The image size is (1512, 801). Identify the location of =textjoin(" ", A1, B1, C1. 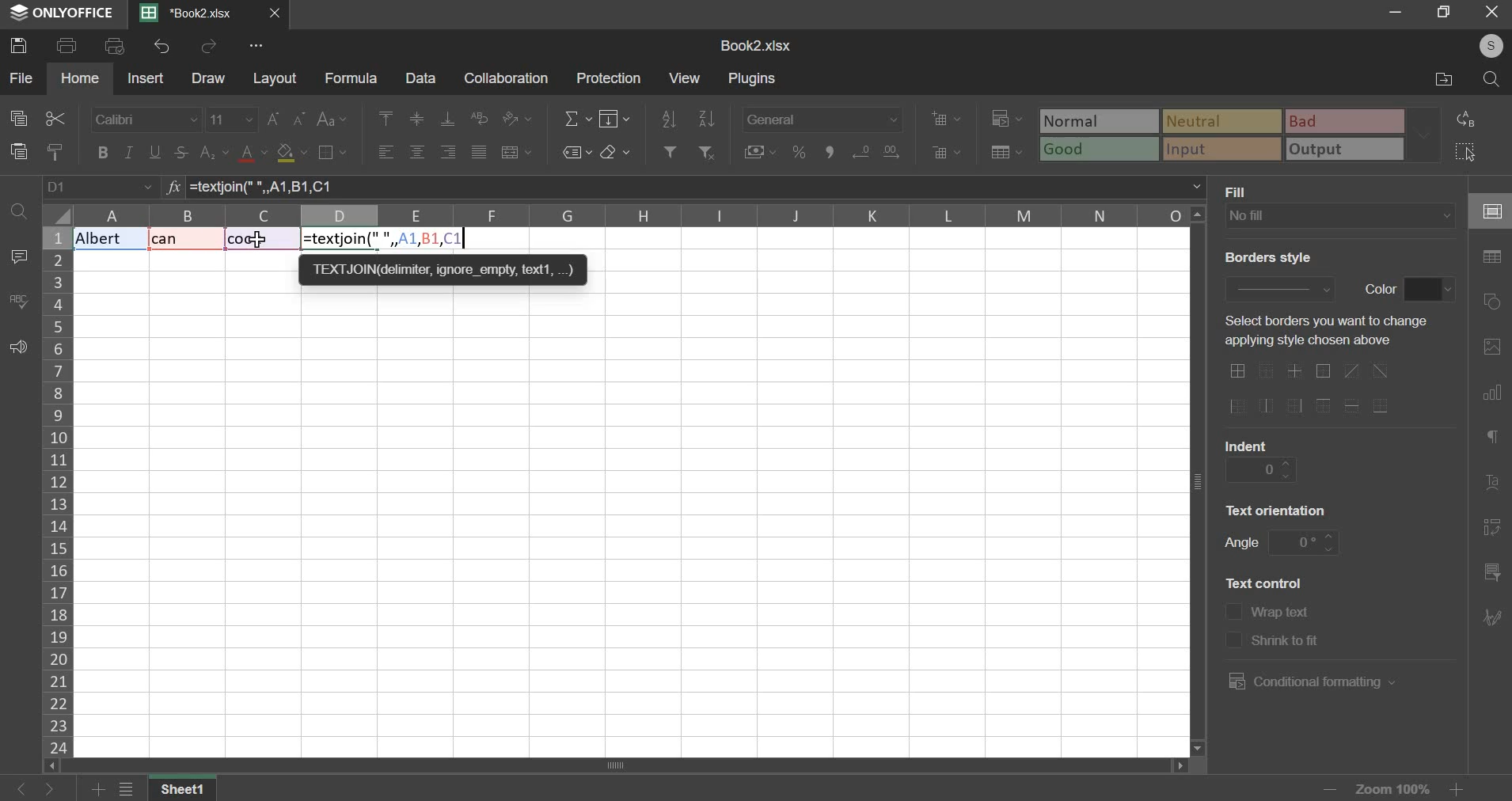
(697, 187).